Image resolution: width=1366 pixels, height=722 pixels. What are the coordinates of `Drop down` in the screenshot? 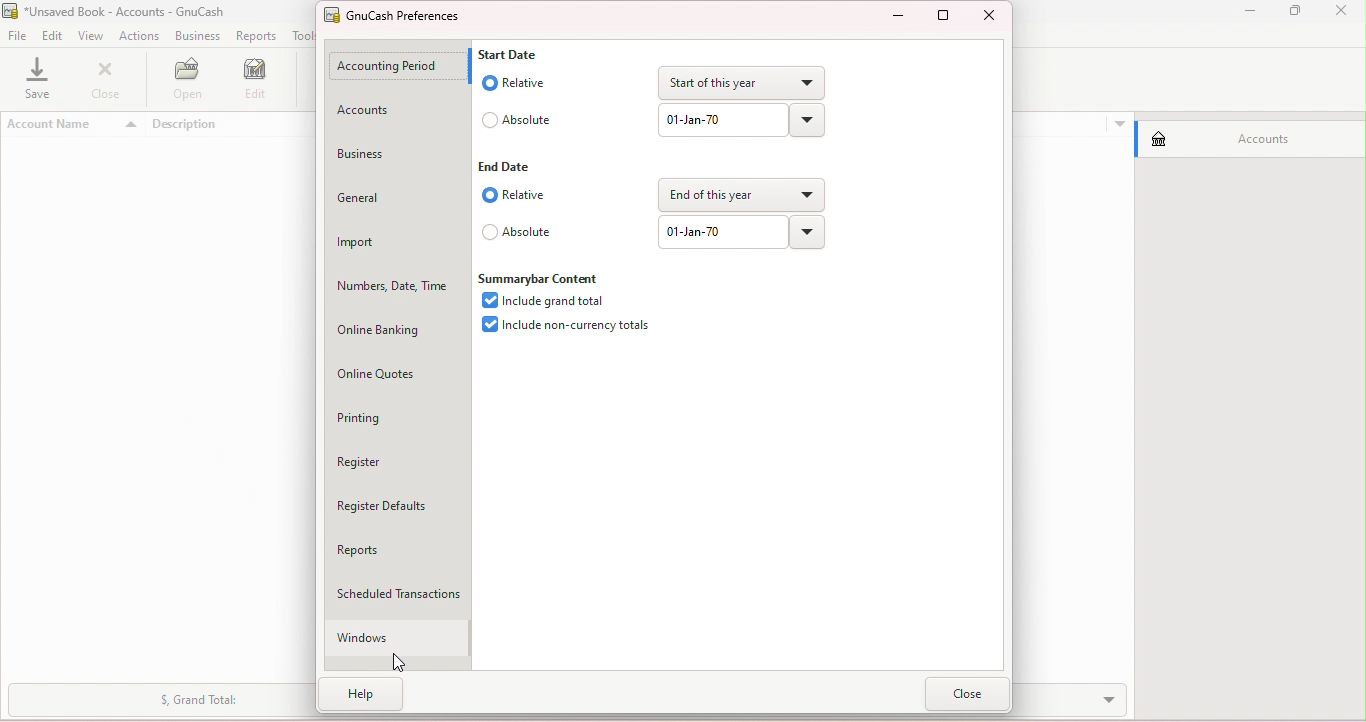 It's located at (808, 233).